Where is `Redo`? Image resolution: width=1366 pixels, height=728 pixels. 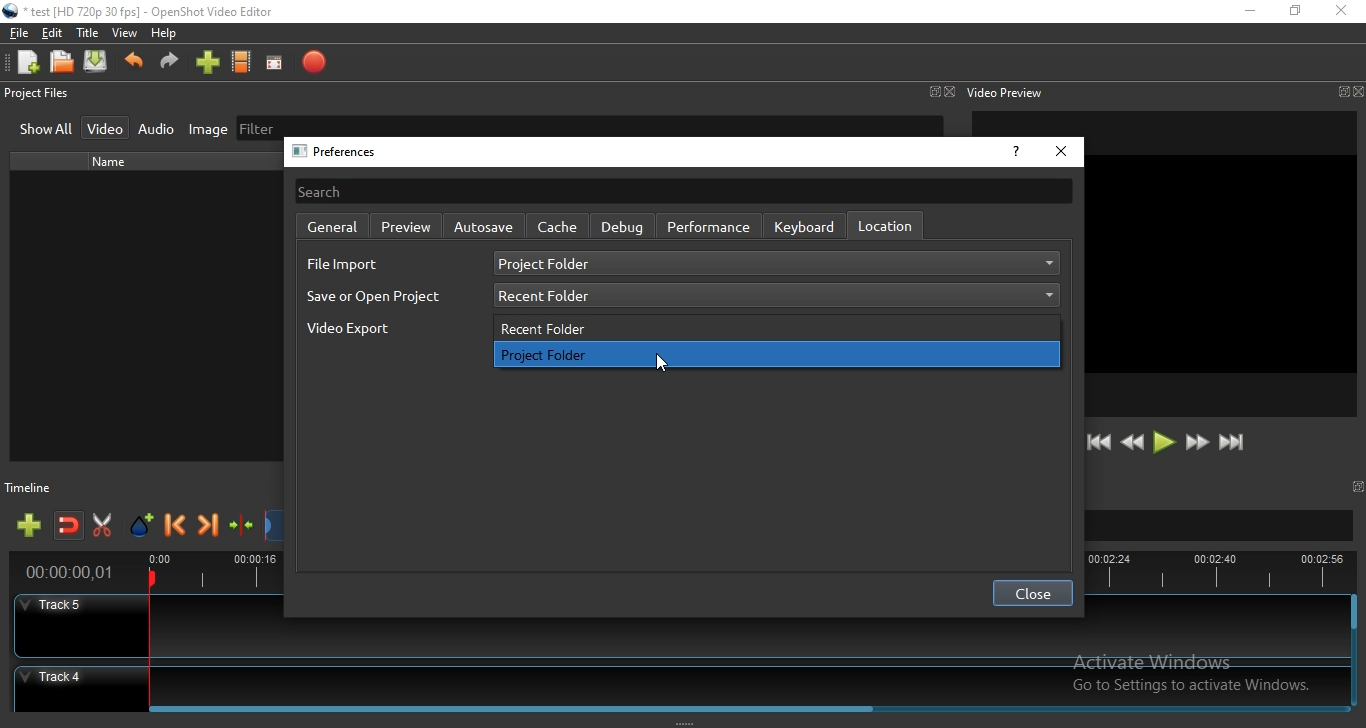
Redo is located at coordinates (170, 66).